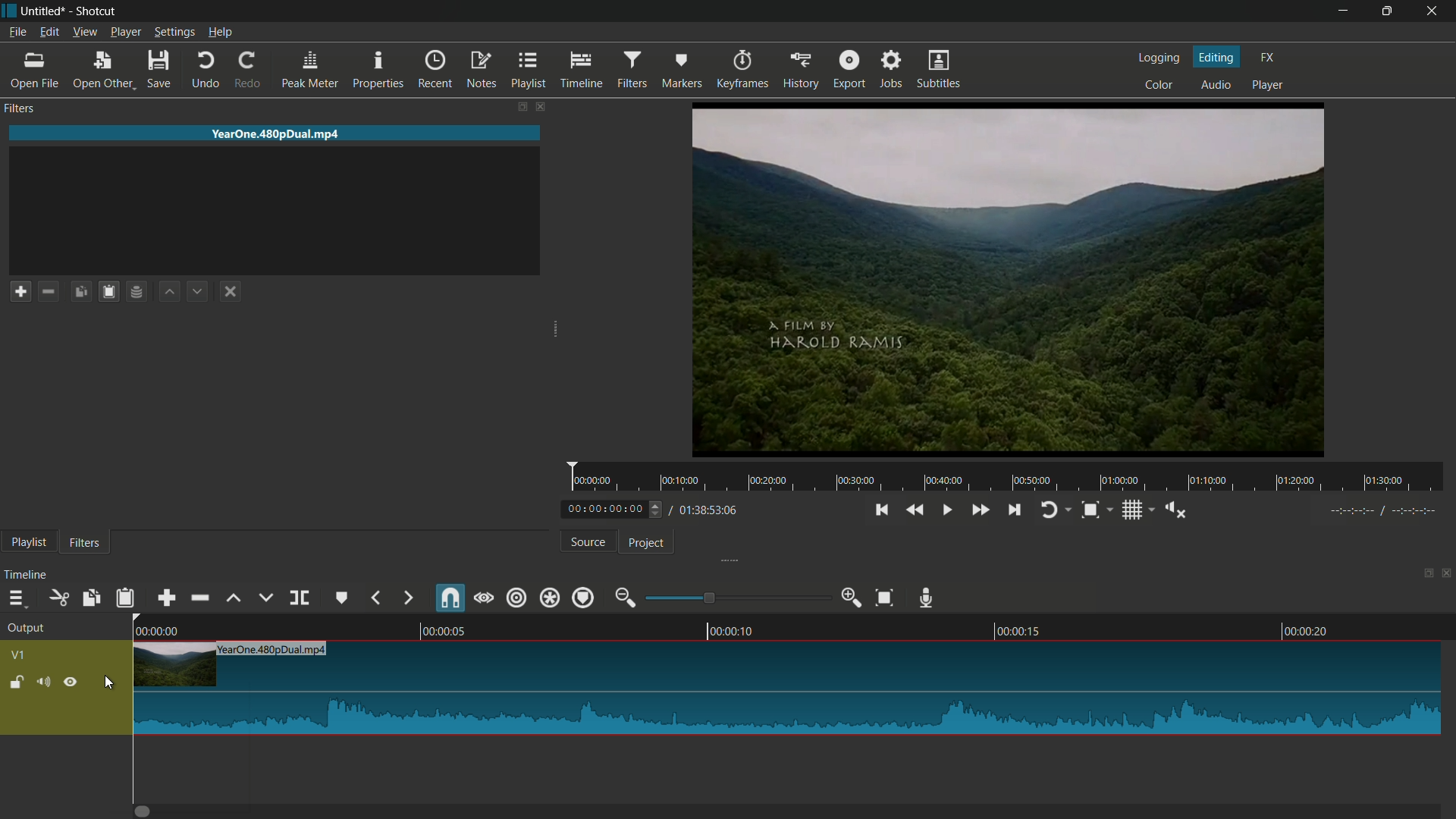 This screenshot has height=819, width=1456. I want to click on lock, so click(17, 681).